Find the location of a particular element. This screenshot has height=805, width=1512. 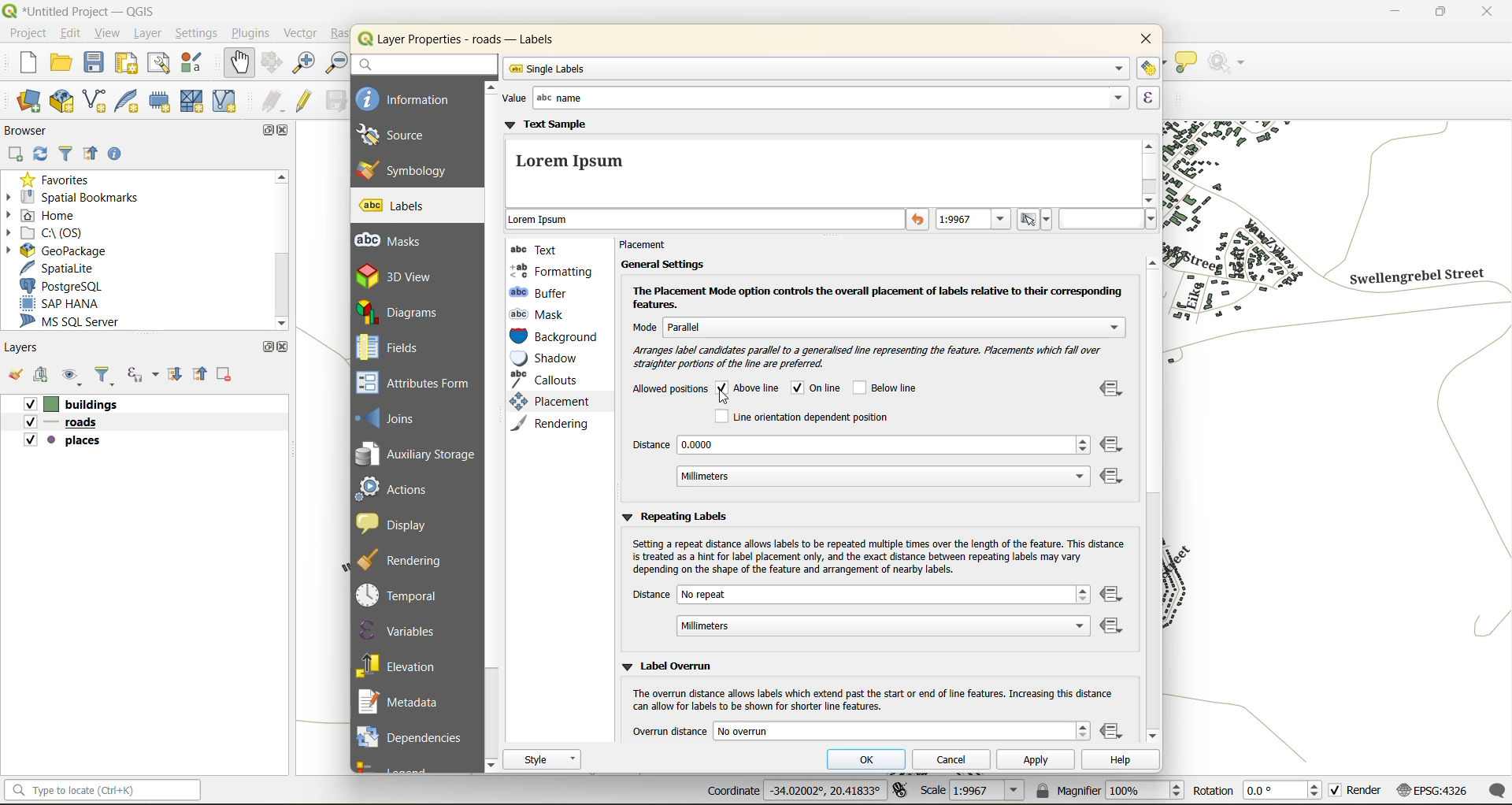

show tips is located at coordinates (1187, 63).